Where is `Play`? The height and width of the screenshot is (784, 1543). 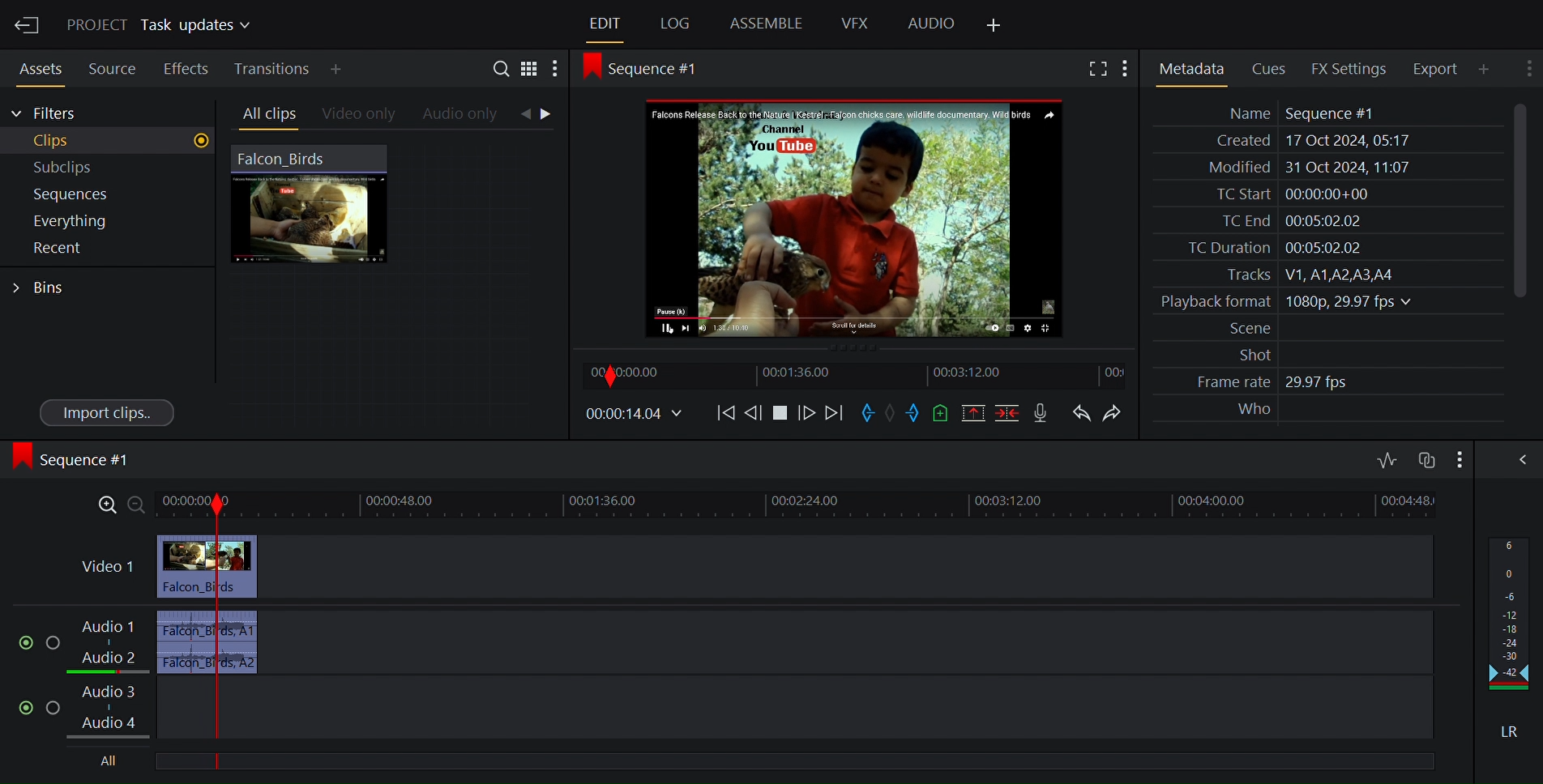 Play is located at coordinates (778, 414).